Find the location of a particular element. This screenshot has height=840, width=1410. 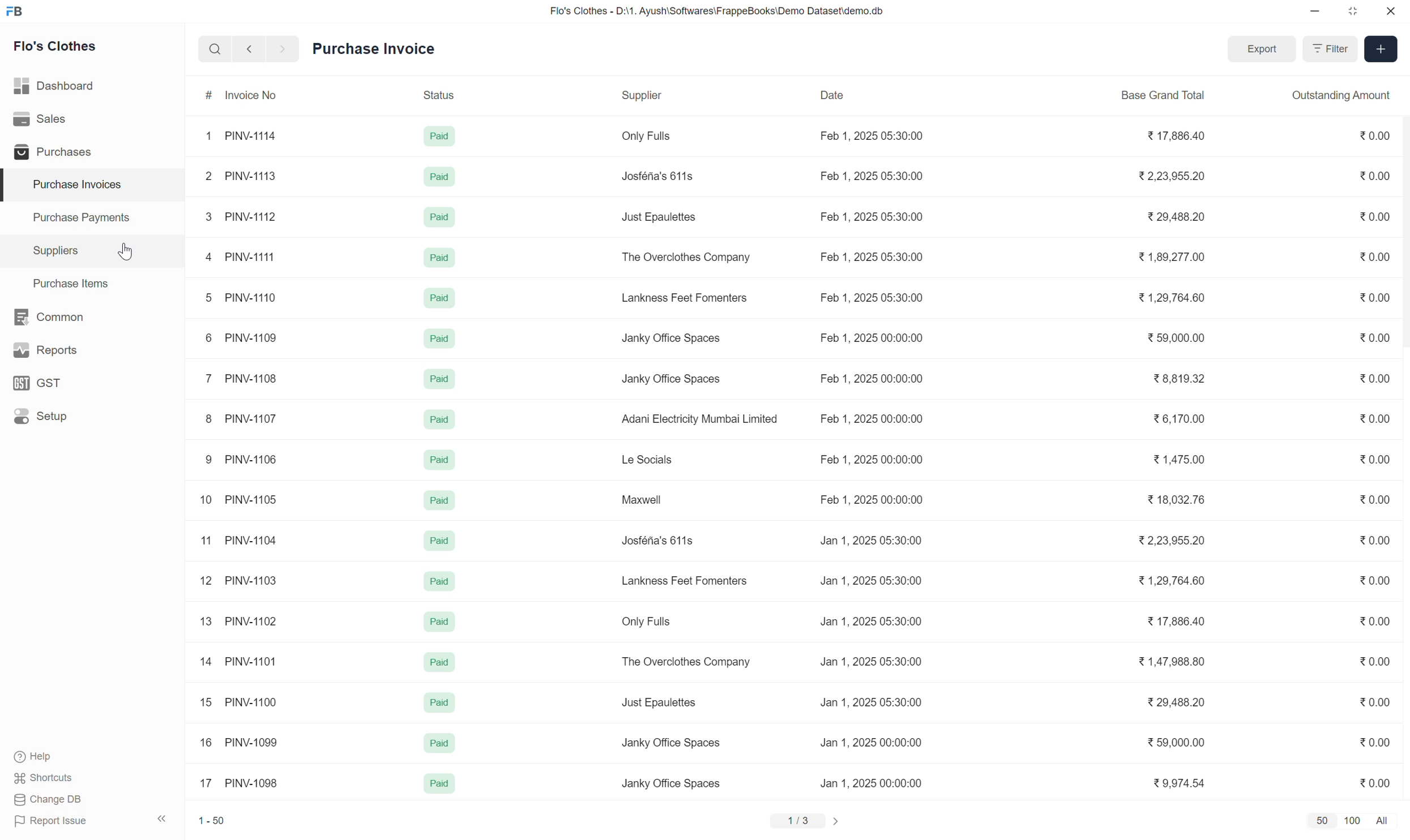

100 is located at coordinates (1353, 821).